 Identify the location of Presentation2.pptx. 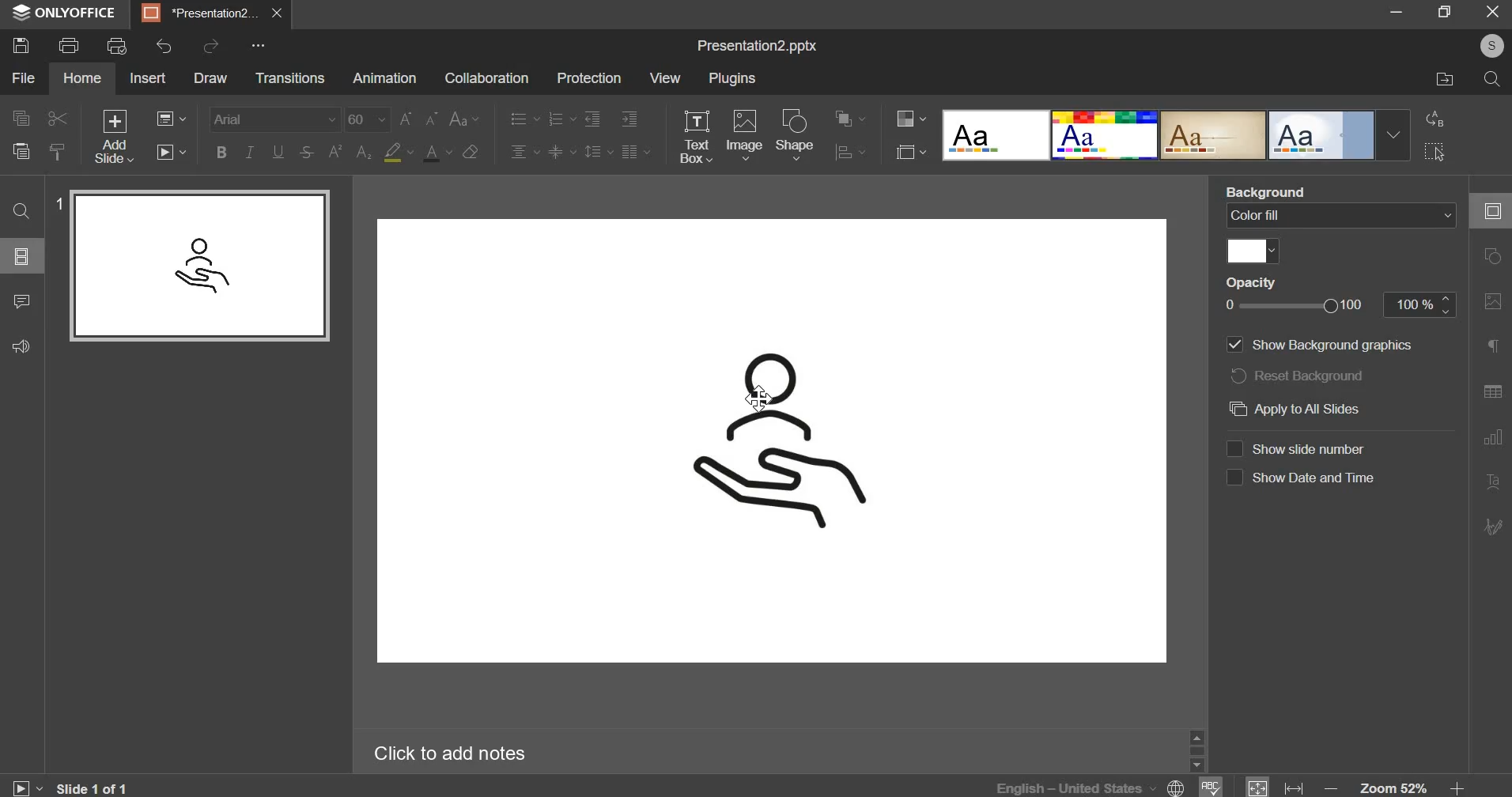
(754, 46).